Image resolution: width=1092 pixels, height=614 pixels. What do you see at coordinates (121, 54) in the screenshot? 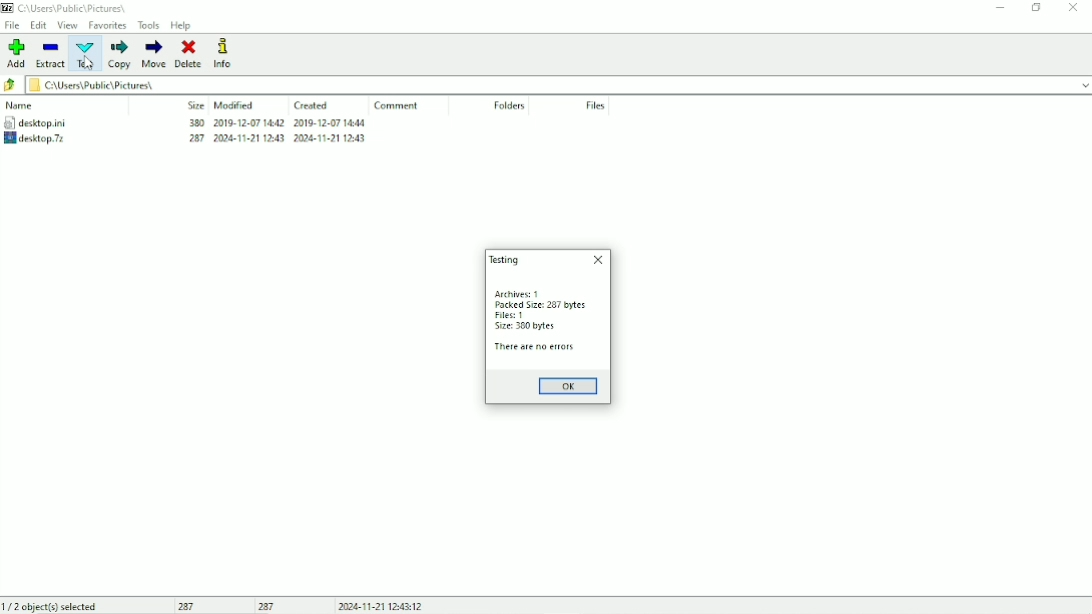
I see `Copy` at bounding box center [121, 54].